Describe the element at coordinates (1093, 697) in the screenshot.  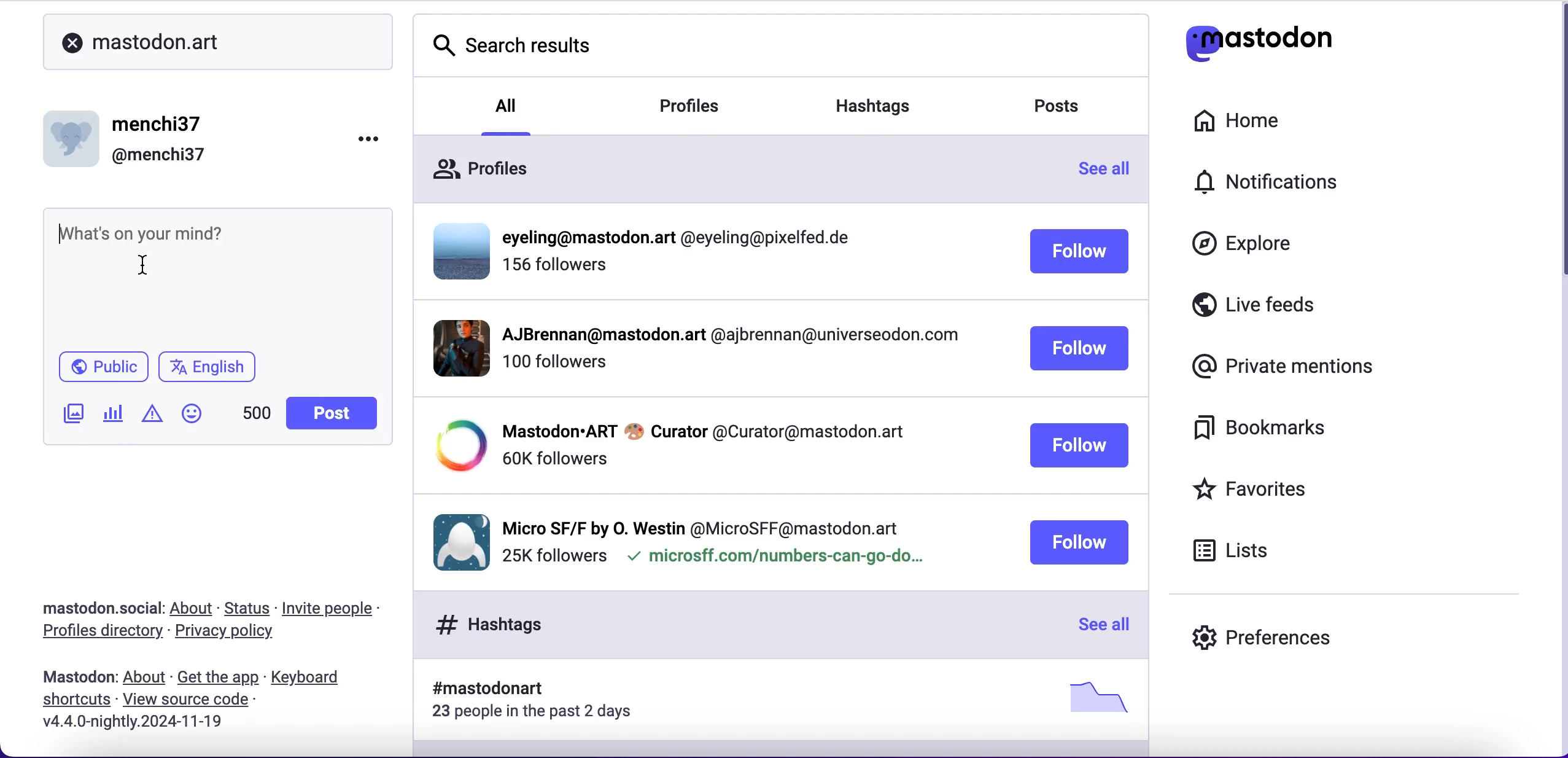
I see `picture` at that location.